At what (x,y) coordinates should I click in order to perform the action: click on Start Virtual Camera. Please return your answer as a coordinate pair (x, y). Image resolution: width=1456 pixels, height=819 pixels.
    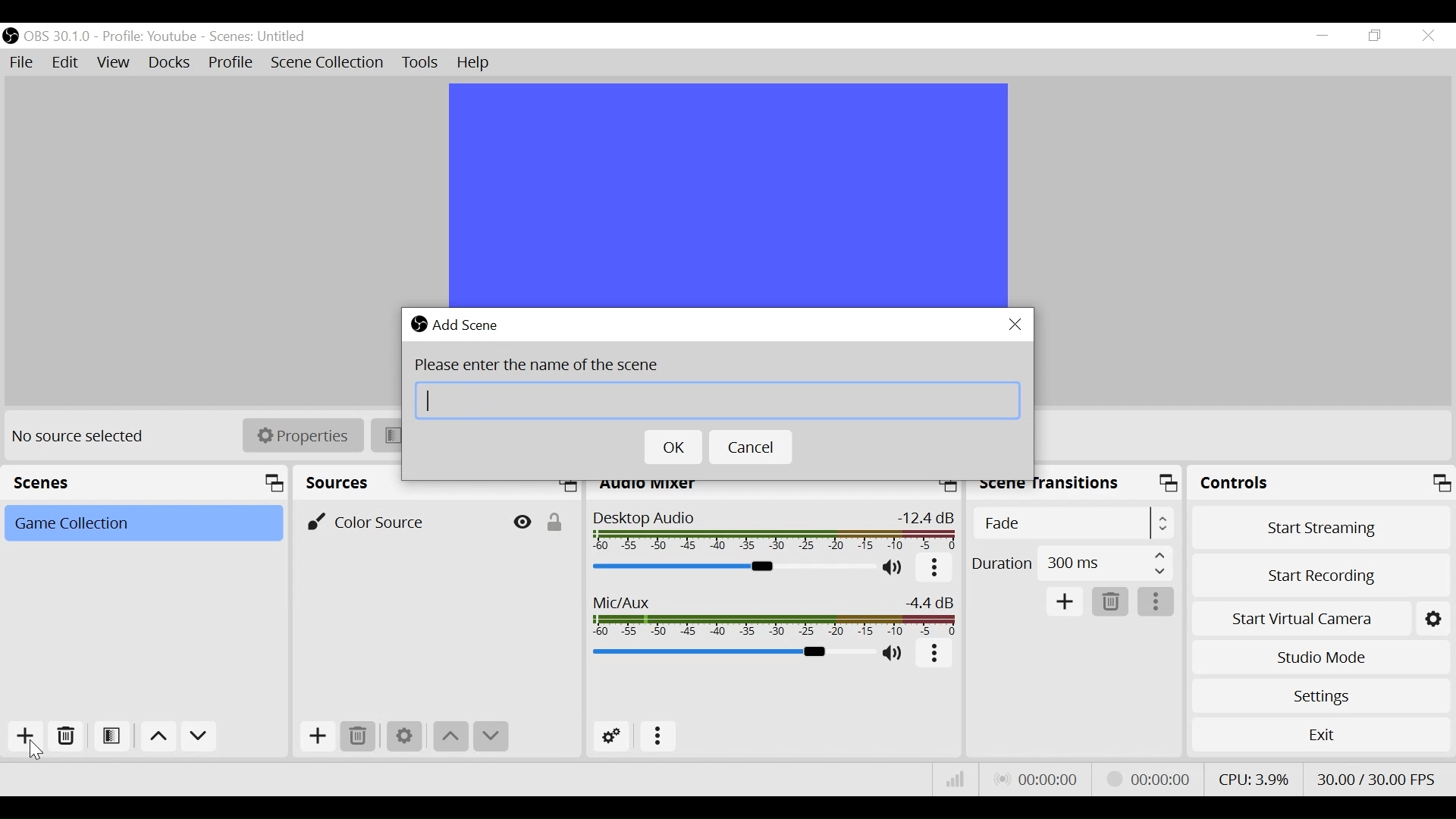
    Looking at the image, I should click on (1301, 616).